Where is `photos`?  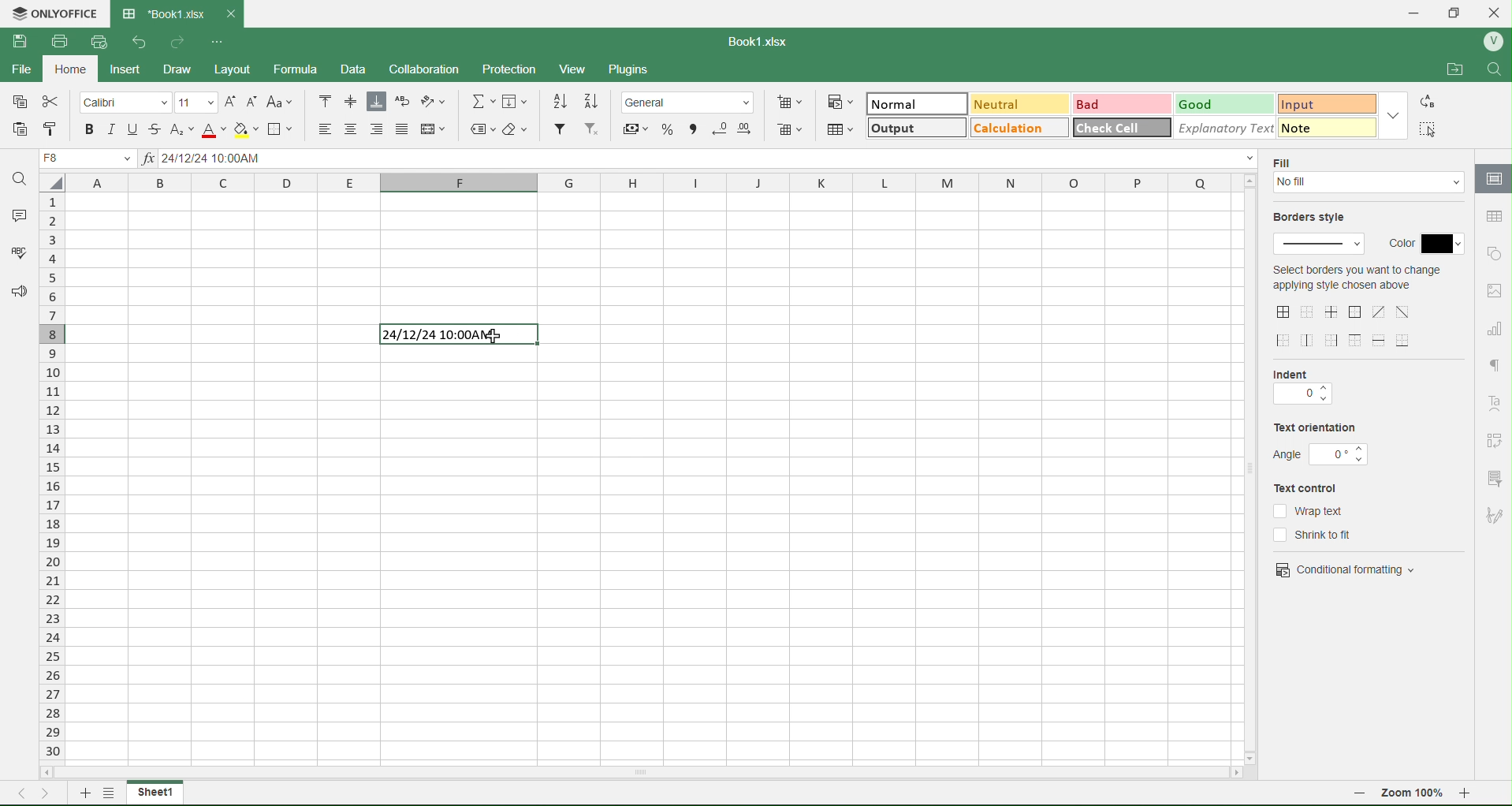
photos is located at coordinates (1495, 291).